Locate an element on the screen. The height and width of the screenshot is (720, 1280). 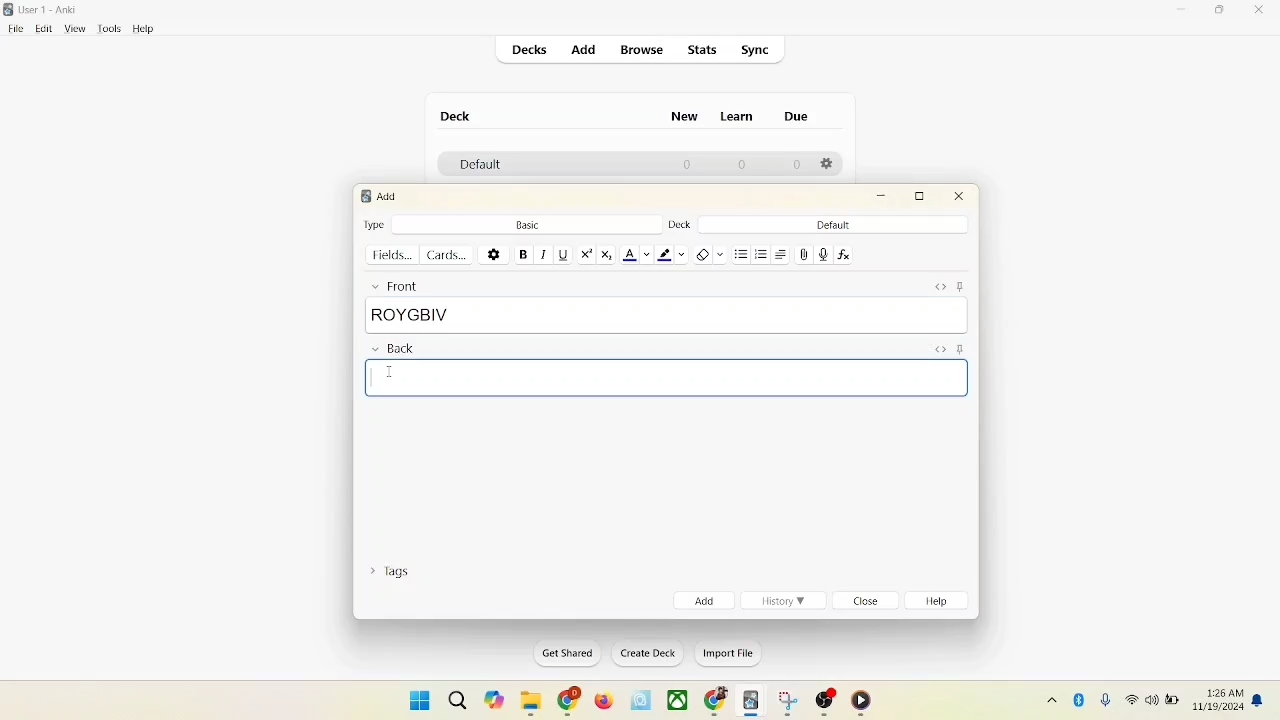
equations is located at coordinates (843, 255).